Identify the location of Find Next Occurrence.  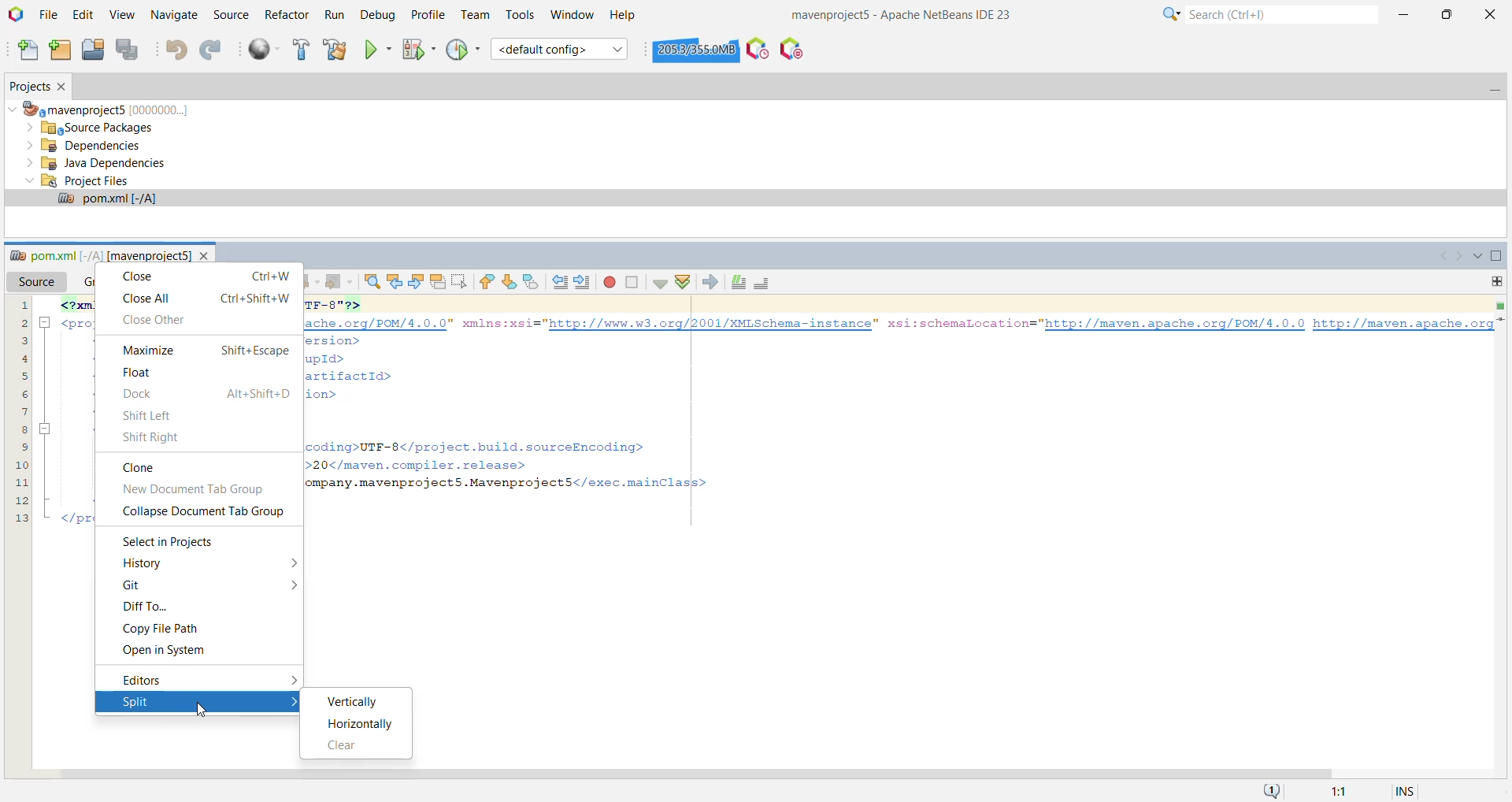
(417, 282).